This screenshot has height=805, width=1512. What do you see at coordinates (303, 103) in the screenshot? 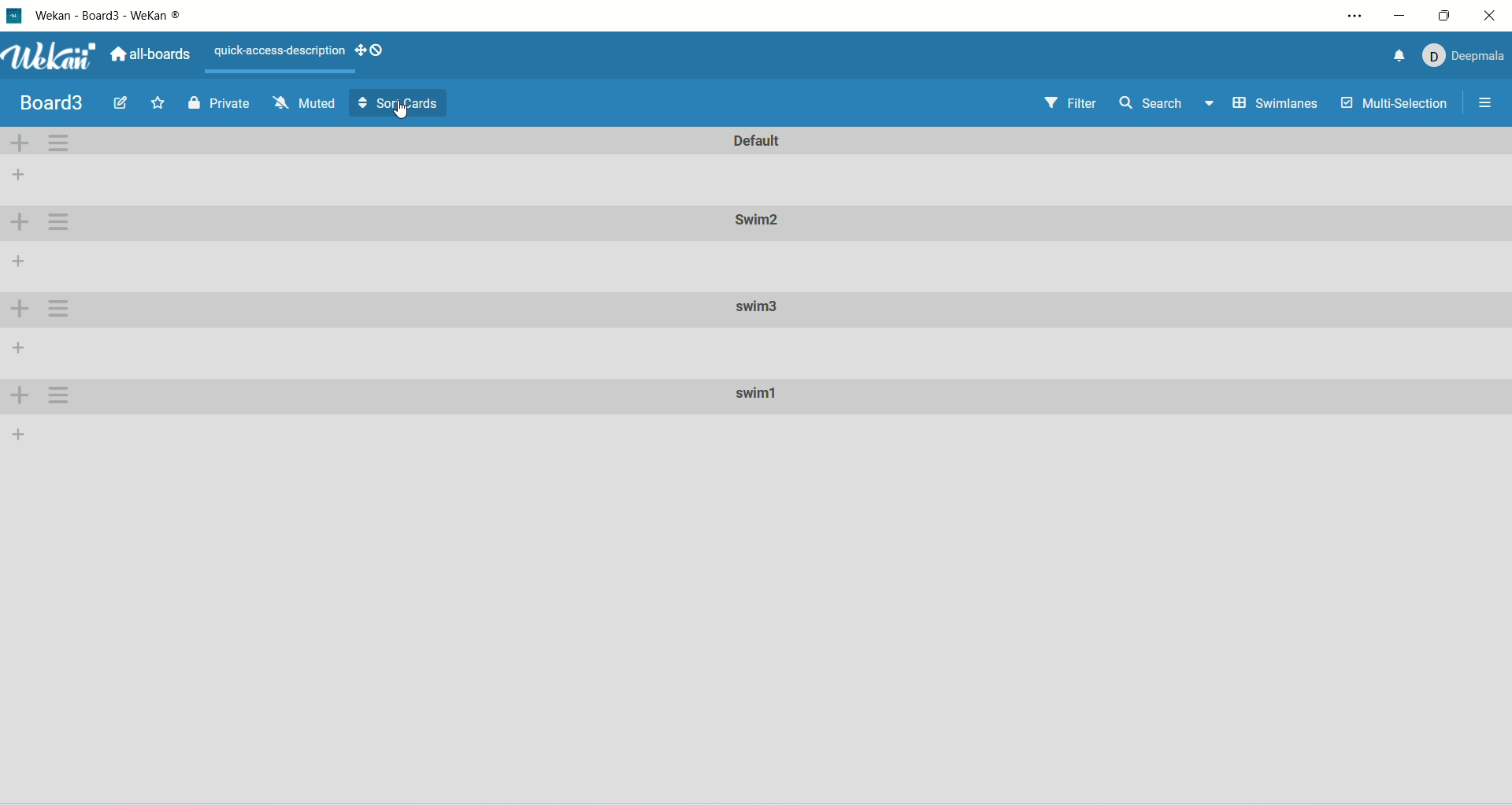
I see `muted` at bounding box center [303, 103].